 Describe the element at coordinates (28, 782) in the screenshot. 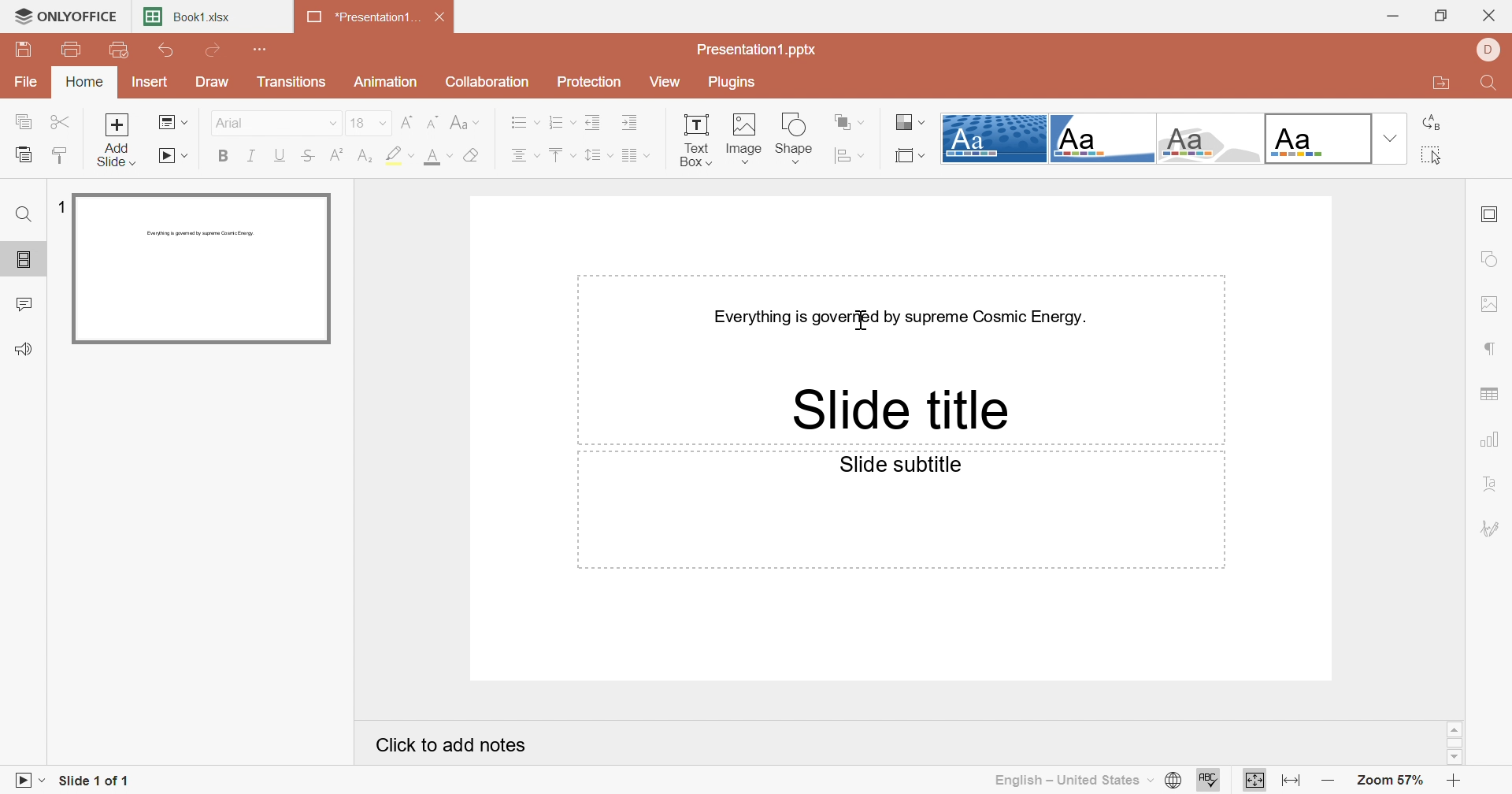

I see `Start slideshow` at that location.